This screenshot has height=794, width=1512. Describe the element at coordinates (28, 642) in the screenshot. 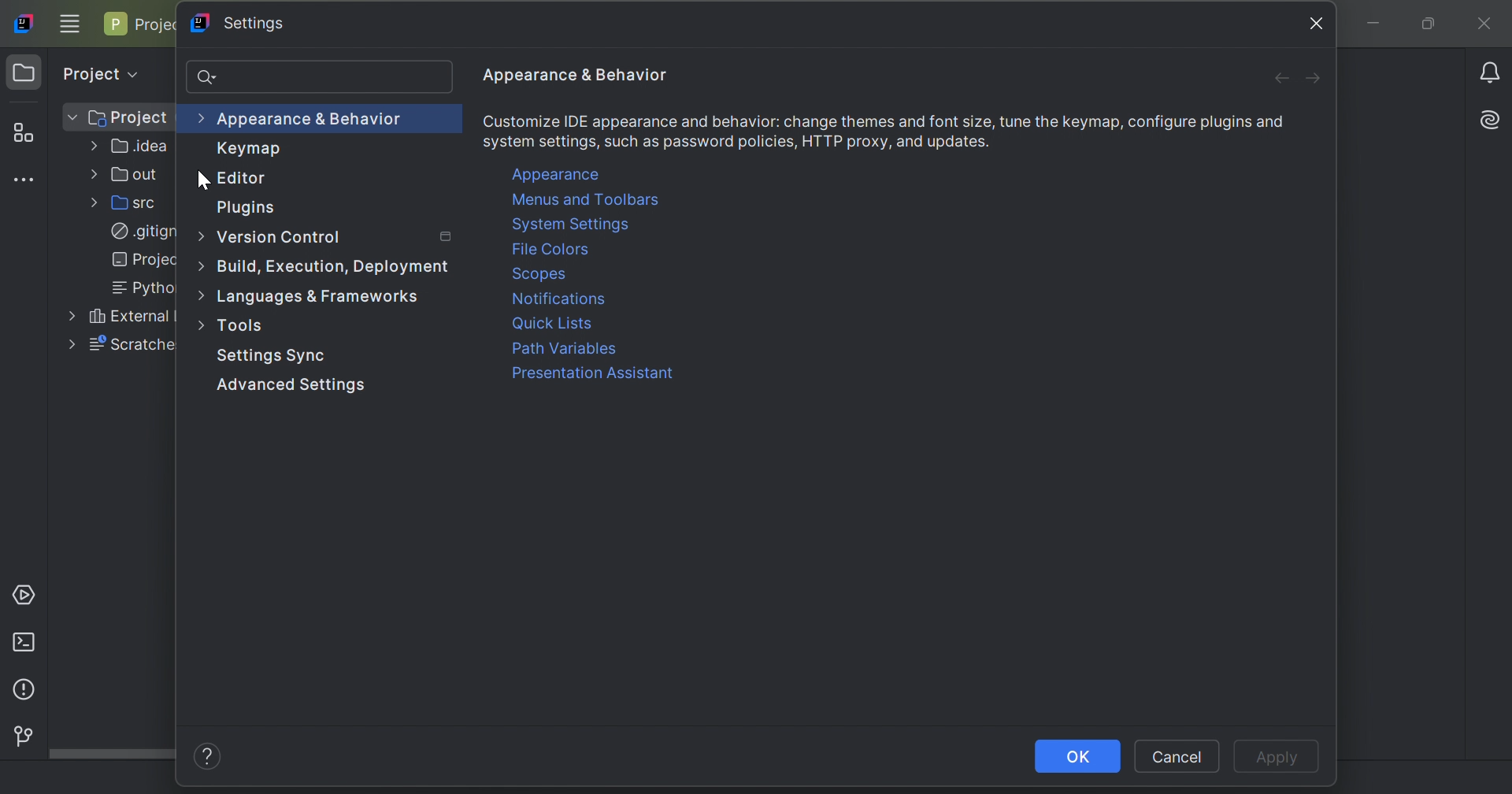

I see `Terminal` at that location.